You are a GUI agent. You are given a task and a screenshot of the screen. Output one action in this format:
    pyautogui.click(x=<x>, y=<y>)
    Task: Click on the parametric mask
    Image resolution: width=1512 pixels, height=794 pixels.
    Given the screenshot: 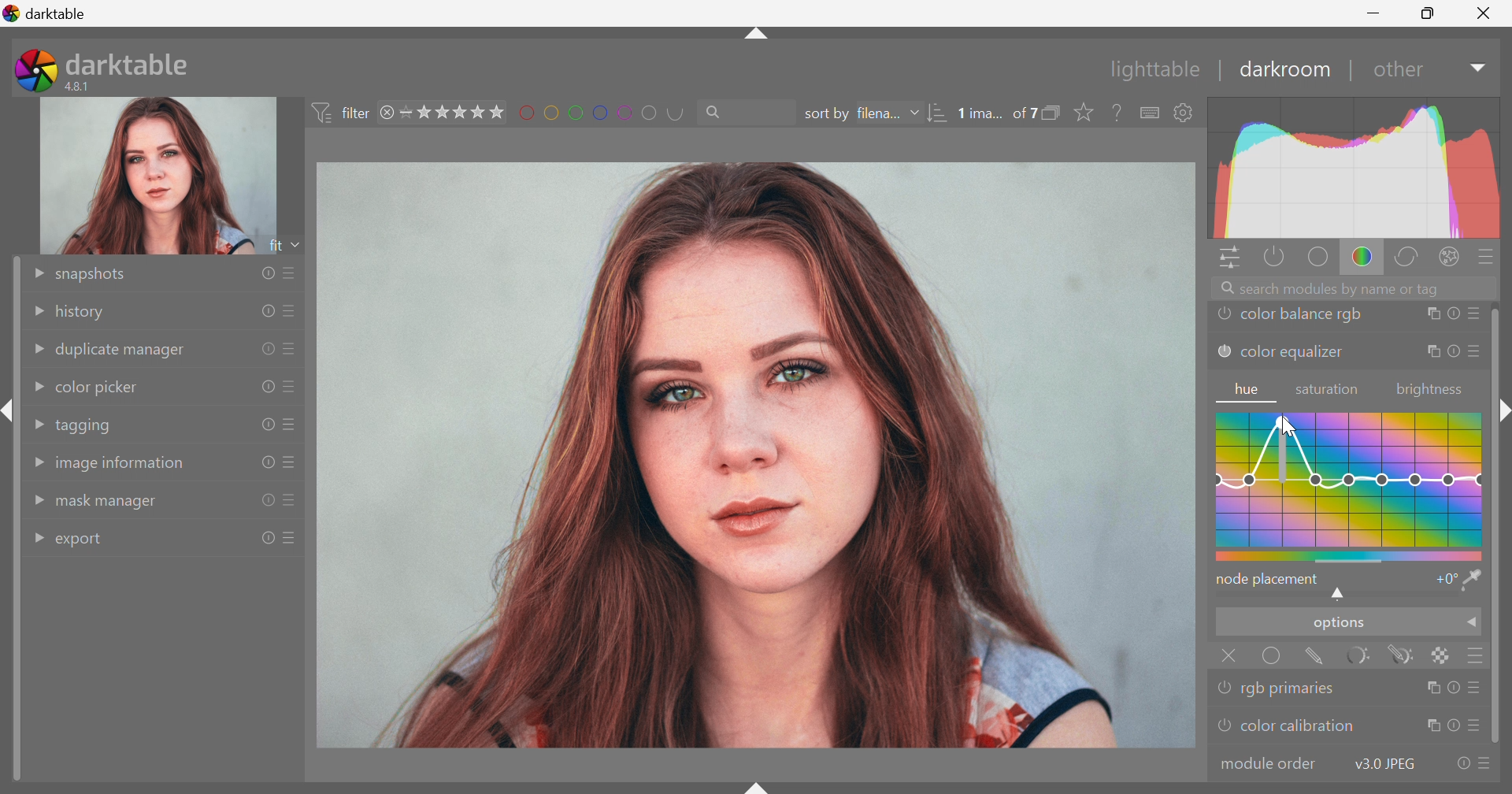 What is the action you would take?
    pyautogui.click(x=1365, y=655)
    